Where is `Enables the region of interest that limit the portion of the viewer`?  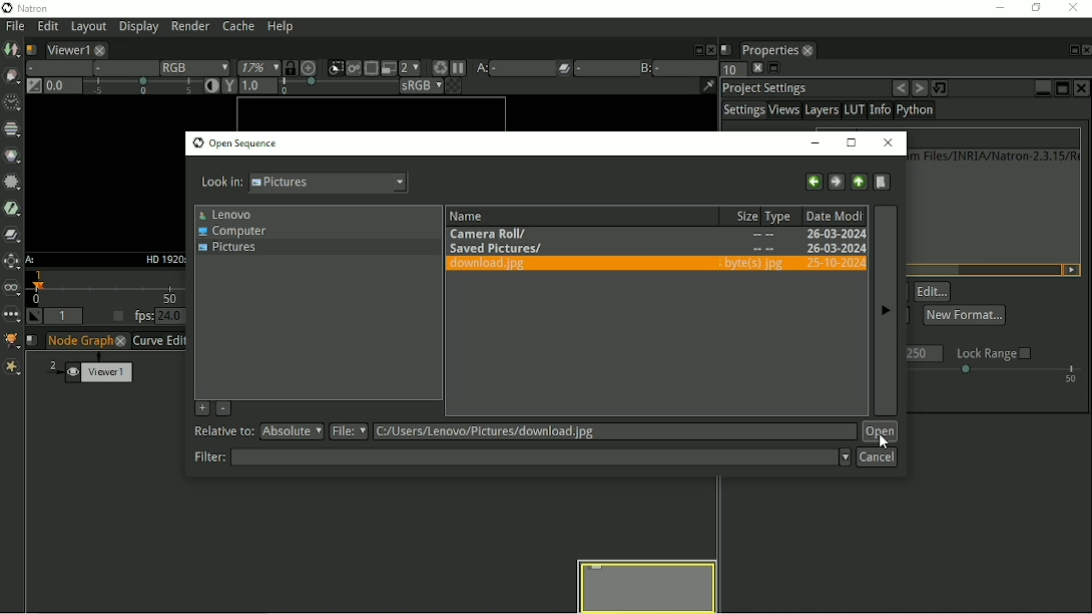 Enables the region of interest that limit the portion of the viewer is located at coordinates (370, 67).